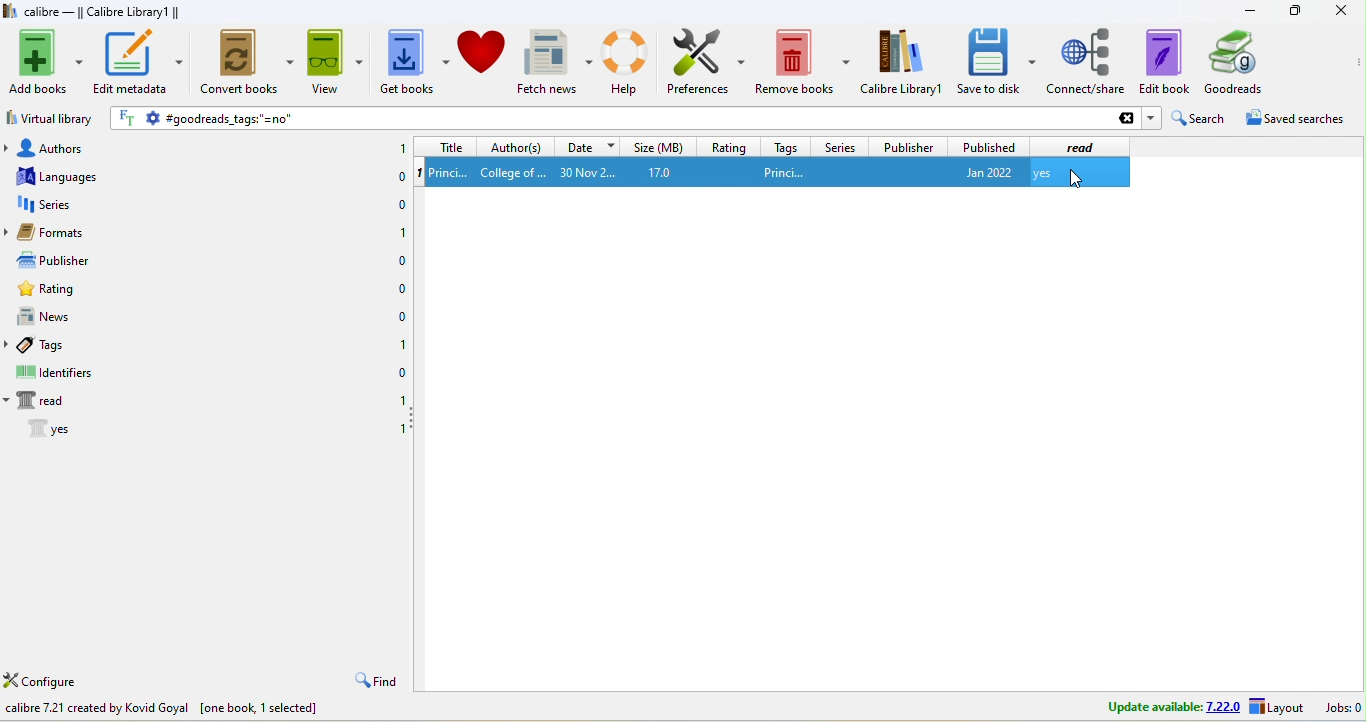 The height and width of the screenshot is (722, 1366). Describe the element at coordinates (402, 318) in the screenshot. I see `0` at that location.